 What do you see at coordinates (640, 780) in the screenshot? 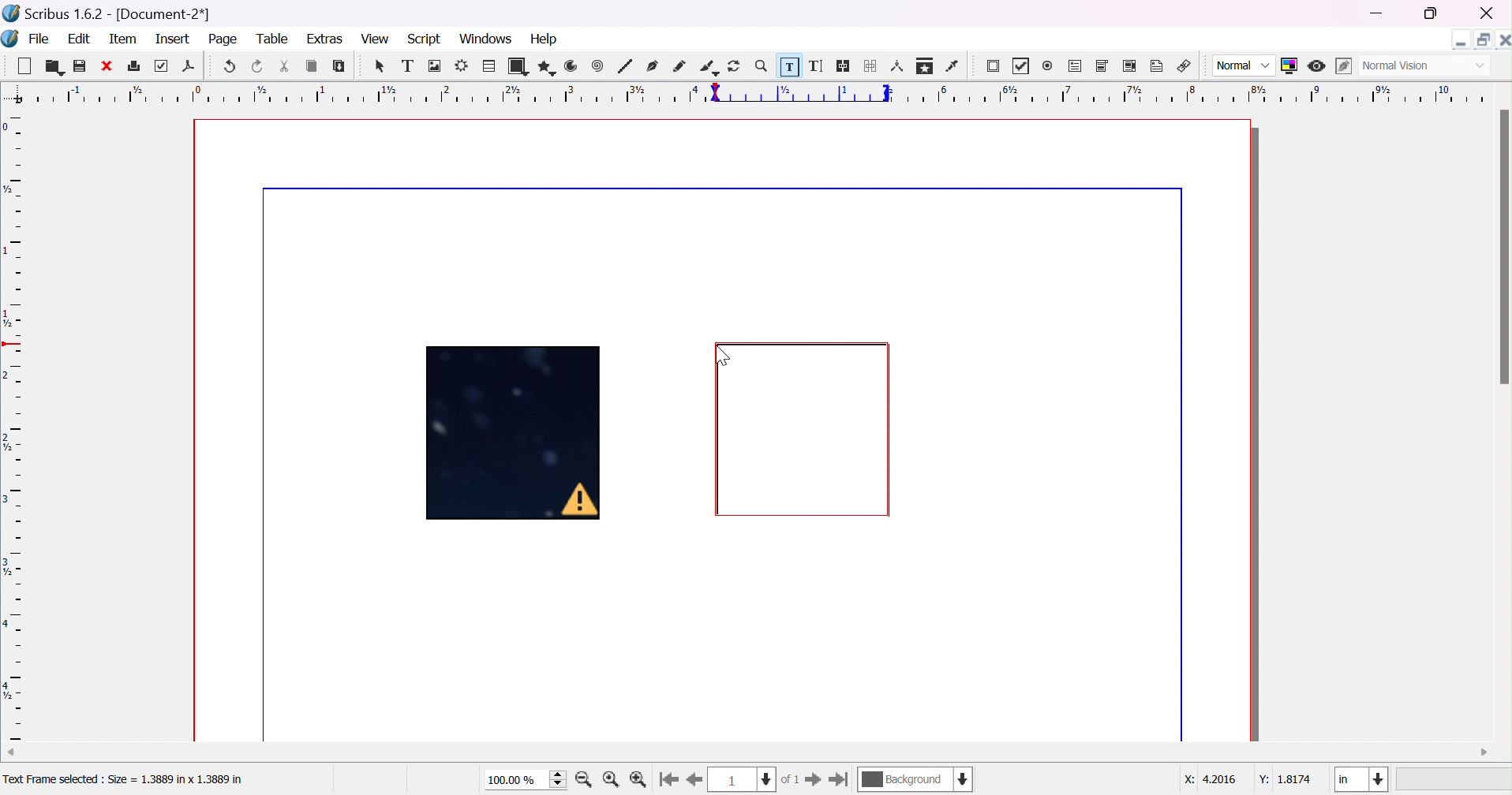
I see `zoom out` at bounding box center [640, 780].